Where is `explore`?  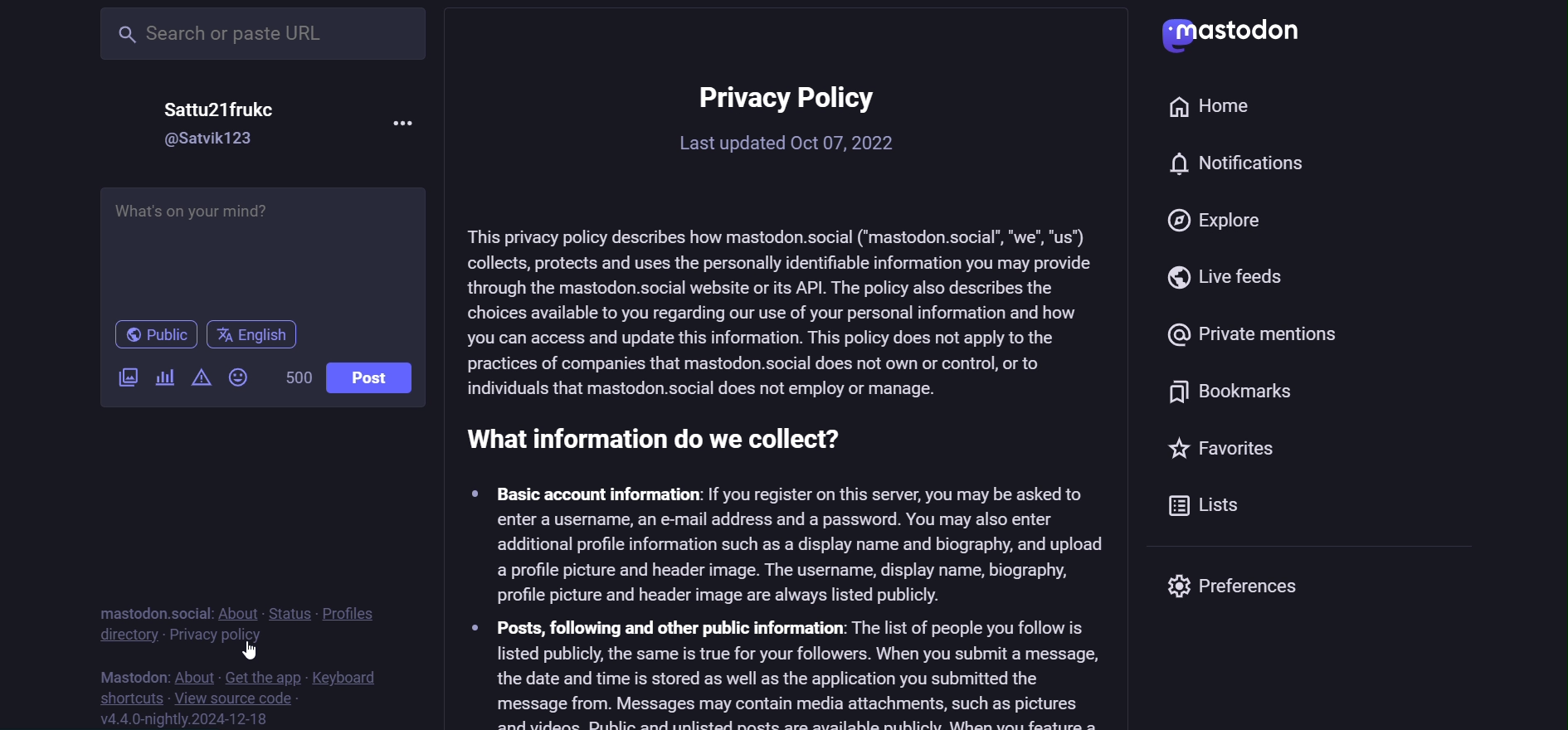
explore is located at coordinates (1223, 222).